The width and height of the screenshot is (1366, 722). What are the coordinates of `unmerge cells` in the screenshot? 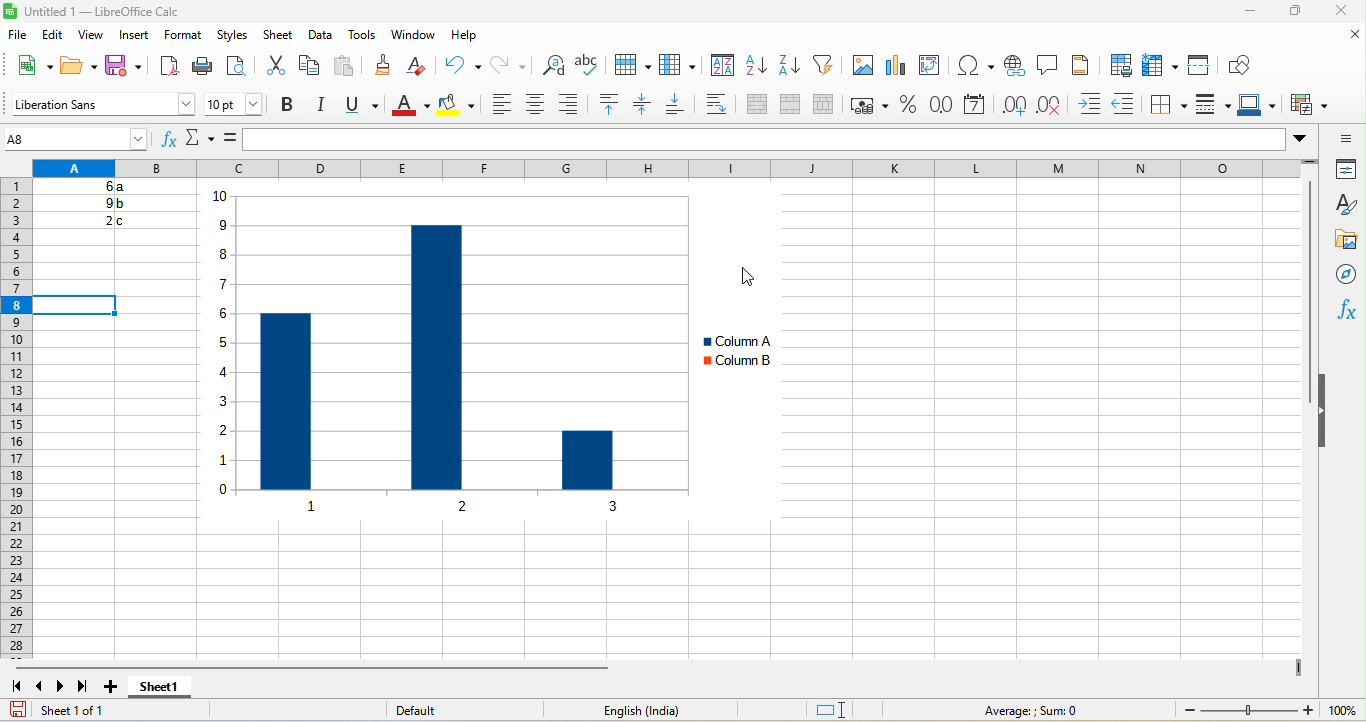 It's located at (828, 106).